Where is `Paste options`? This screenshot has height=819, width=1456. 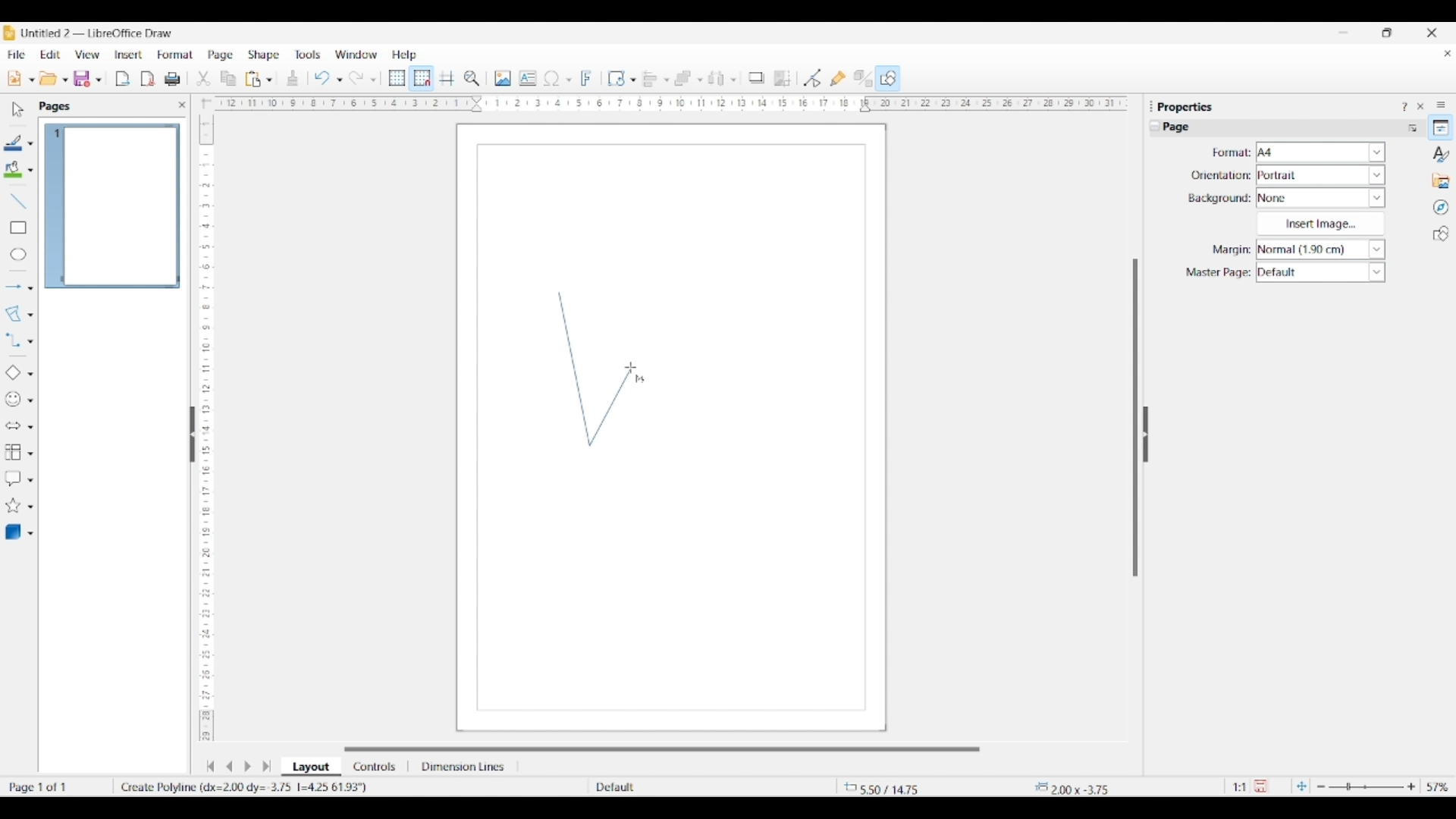 Paste options is located at coordinates (269, 80).